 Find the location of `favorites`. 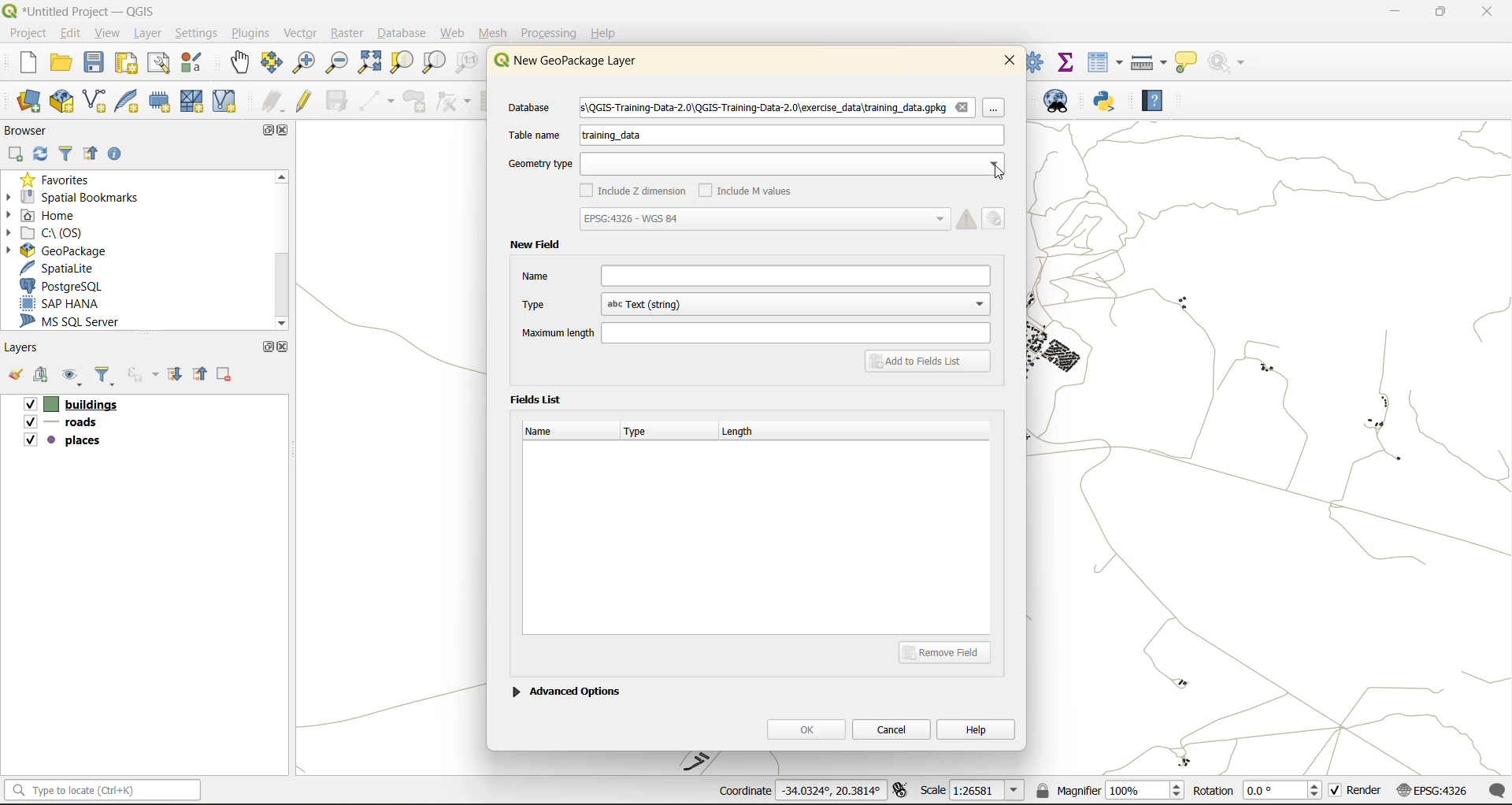

favorites is located at coordinates (59, 178).